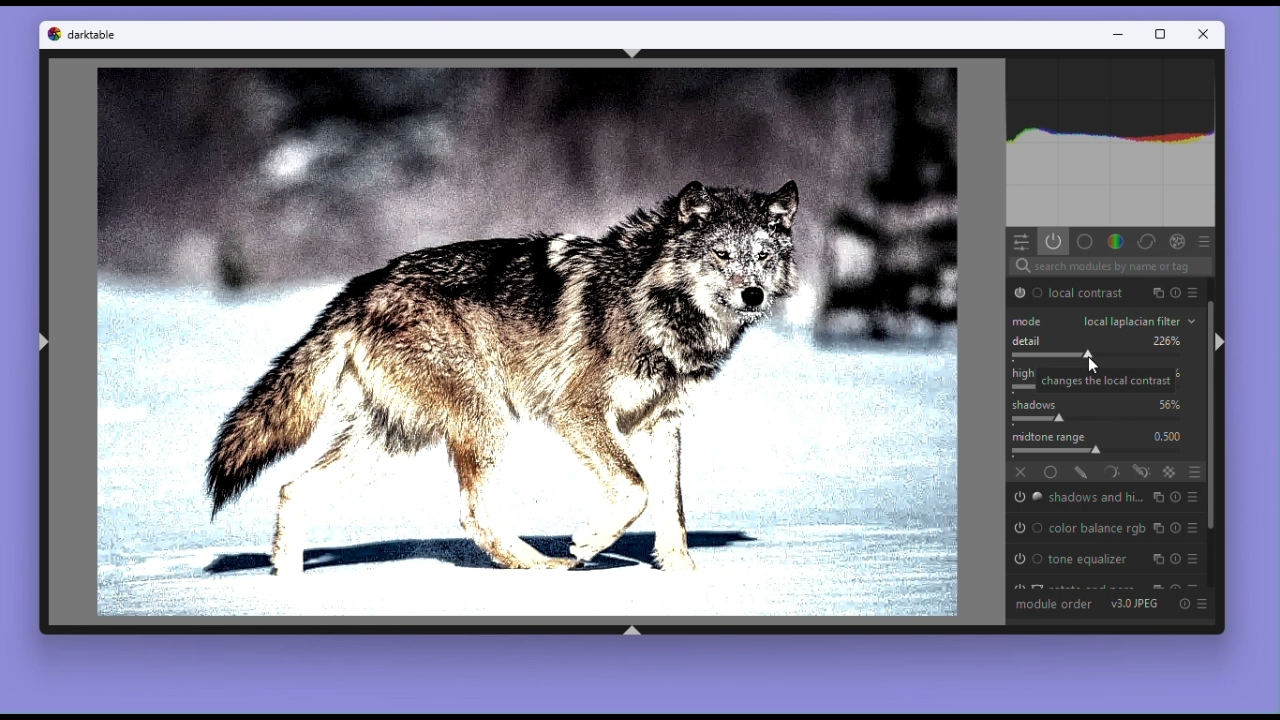 The width and height of the screenshot is (1280, 720). I want to click on Uniformly, so click(1052, 473).